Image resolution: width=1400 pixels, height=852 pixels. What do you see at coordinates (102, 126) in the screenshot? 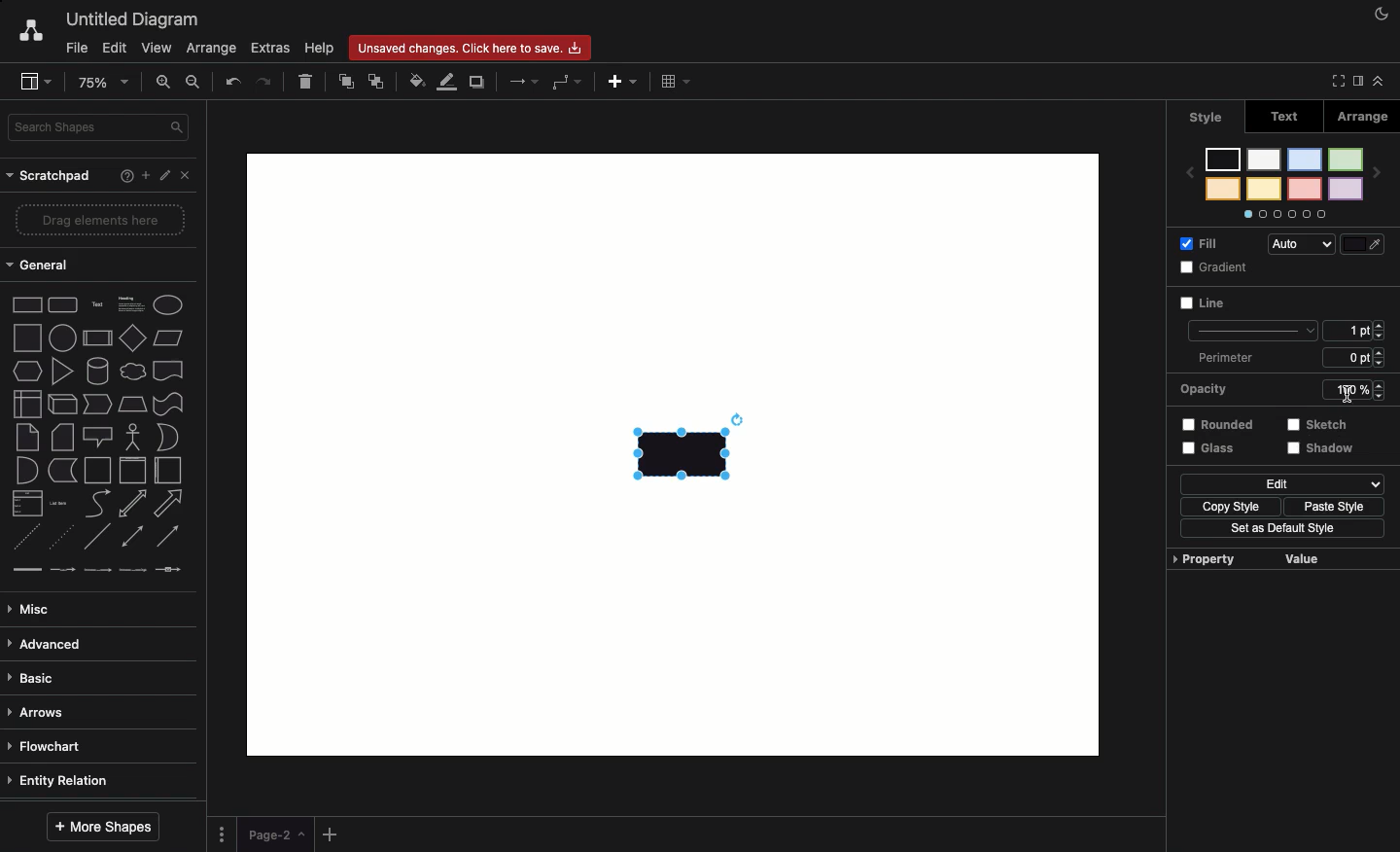
I see `Search in shapes` at bounding box center [102, 126].